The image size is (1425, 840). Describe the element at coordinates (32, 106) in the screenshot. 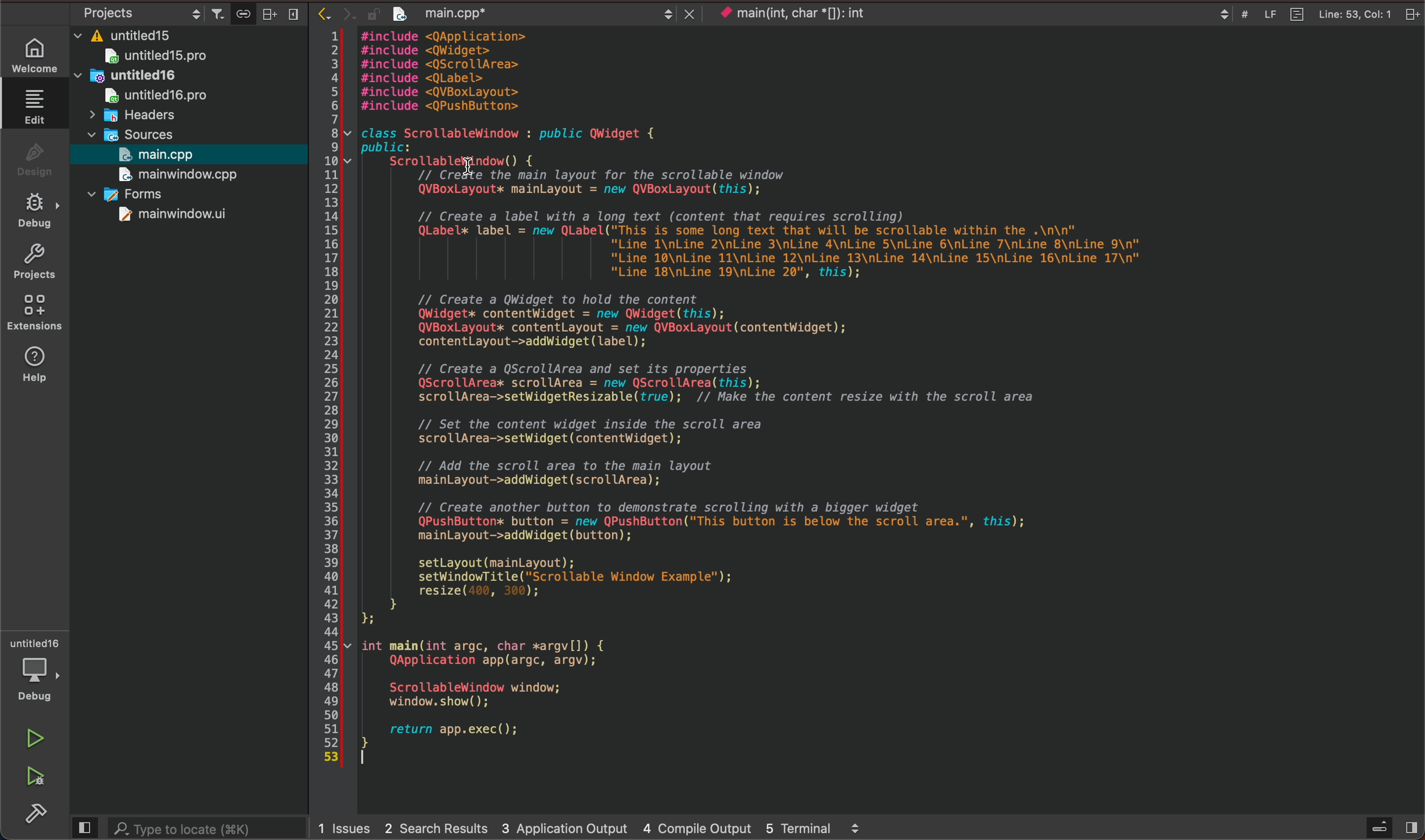

I see `edit` at that location.